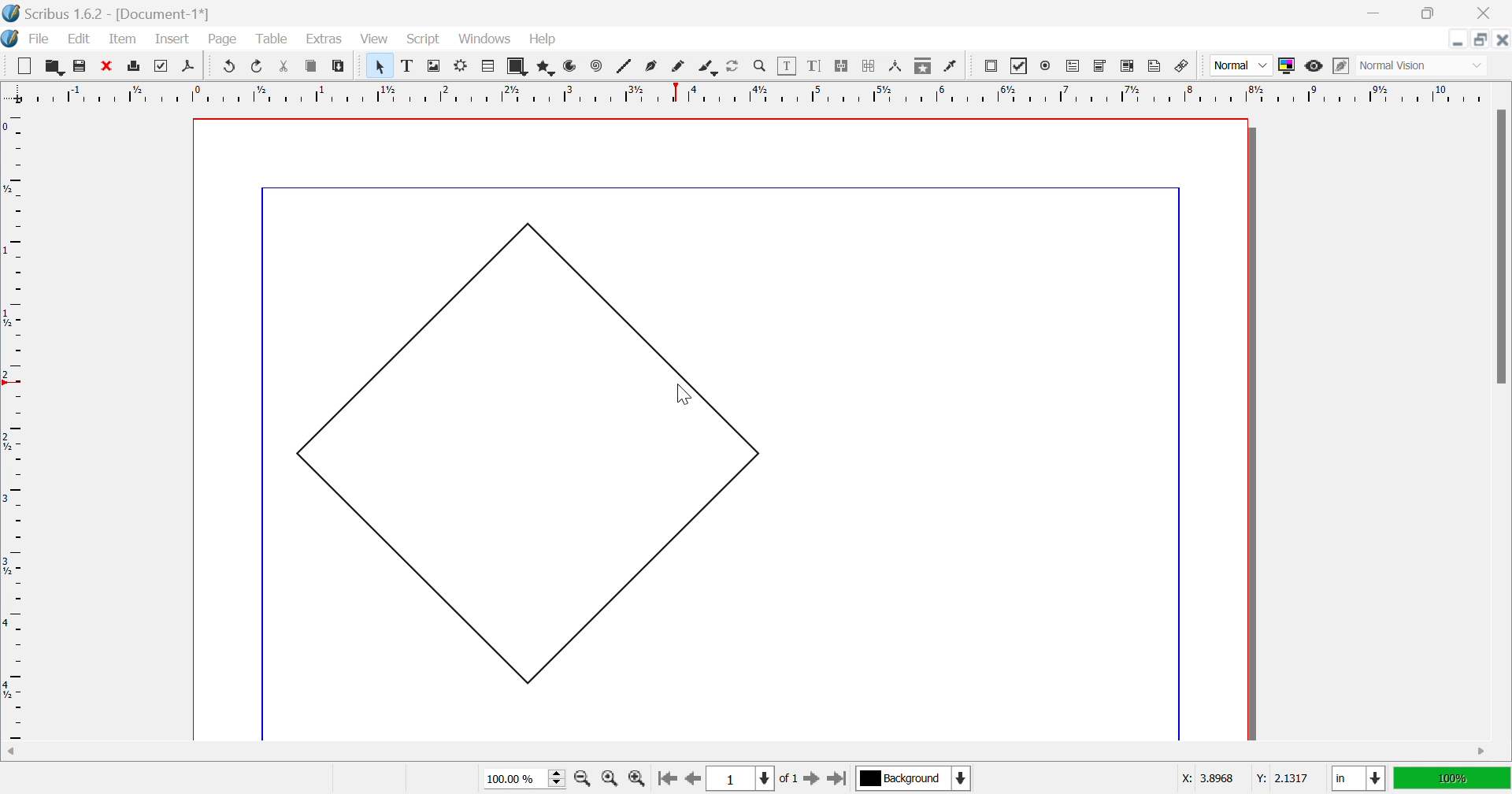 This screenshot has height=794, width=1512. Describe the element at coordinates (787, 64) in the screenshot. I see `Edit contents of frame` at that location.